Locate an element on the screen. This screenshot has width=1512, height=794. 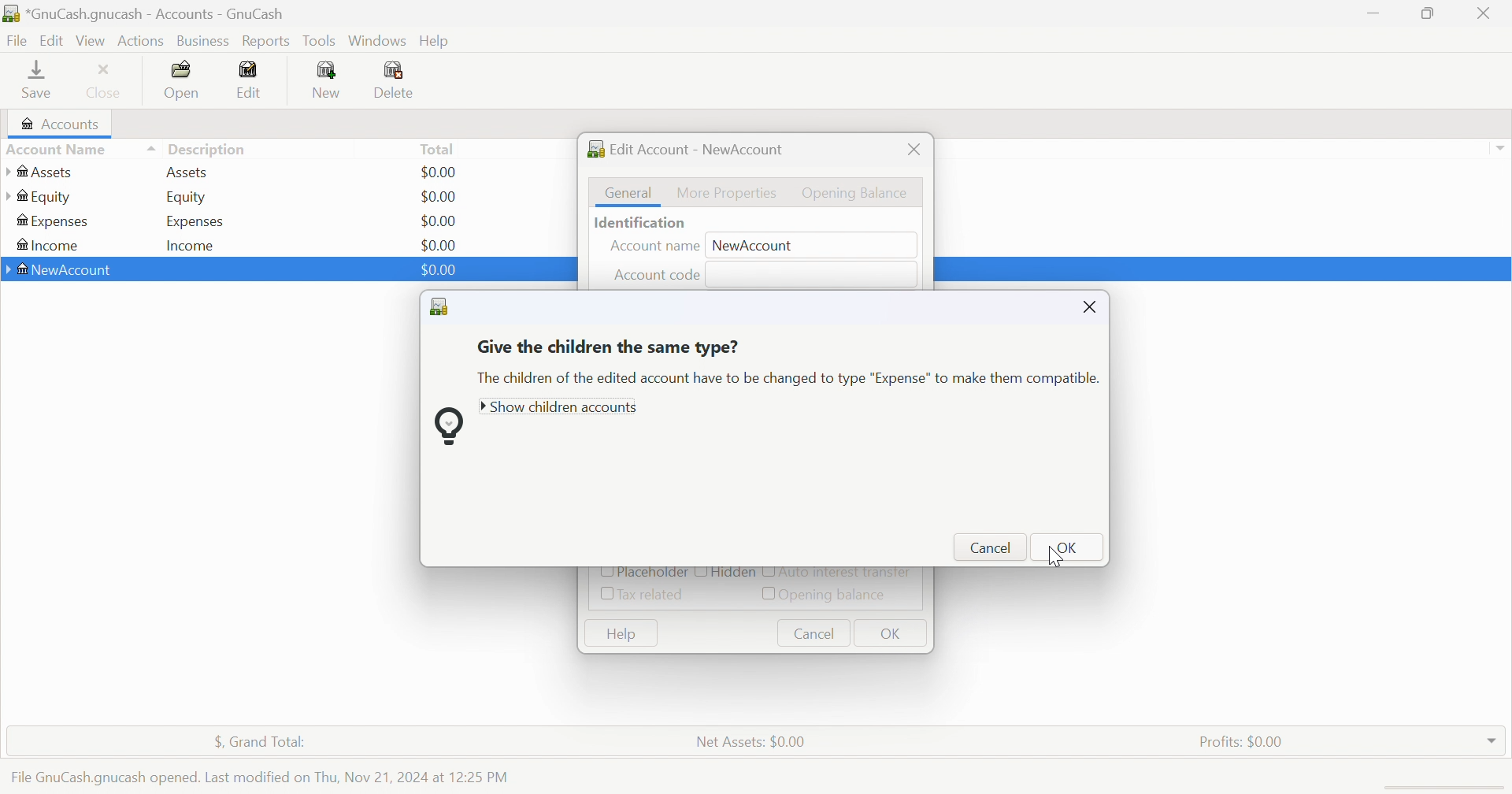
Open is located at coordinates (183, 80).